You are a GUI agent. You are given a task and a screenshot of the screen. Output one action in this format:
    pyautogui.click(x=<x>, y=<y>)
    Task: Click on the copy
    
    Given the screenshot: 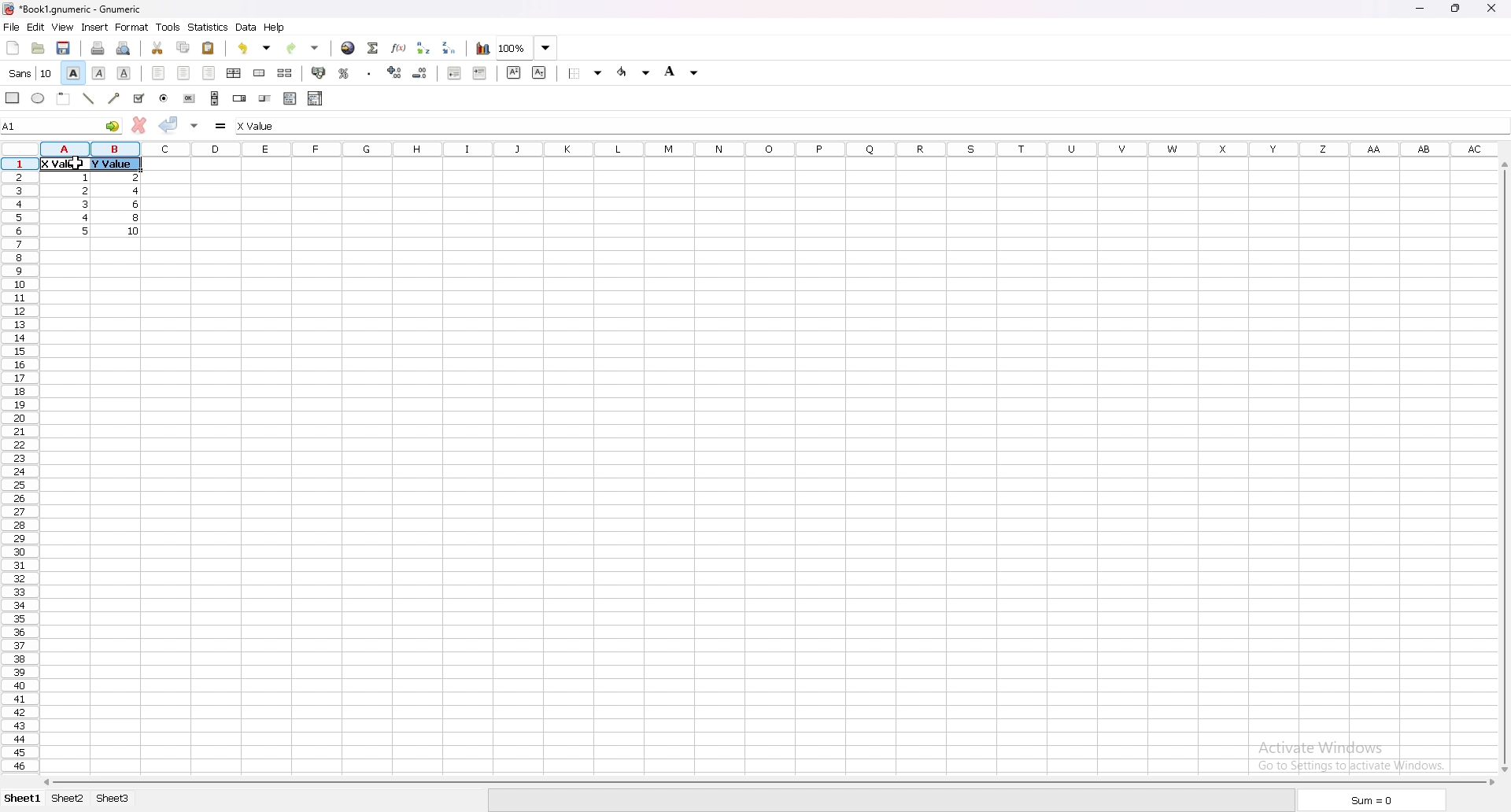 What is the action you would take?
    pyautogui.click(x=183, y=47)
    